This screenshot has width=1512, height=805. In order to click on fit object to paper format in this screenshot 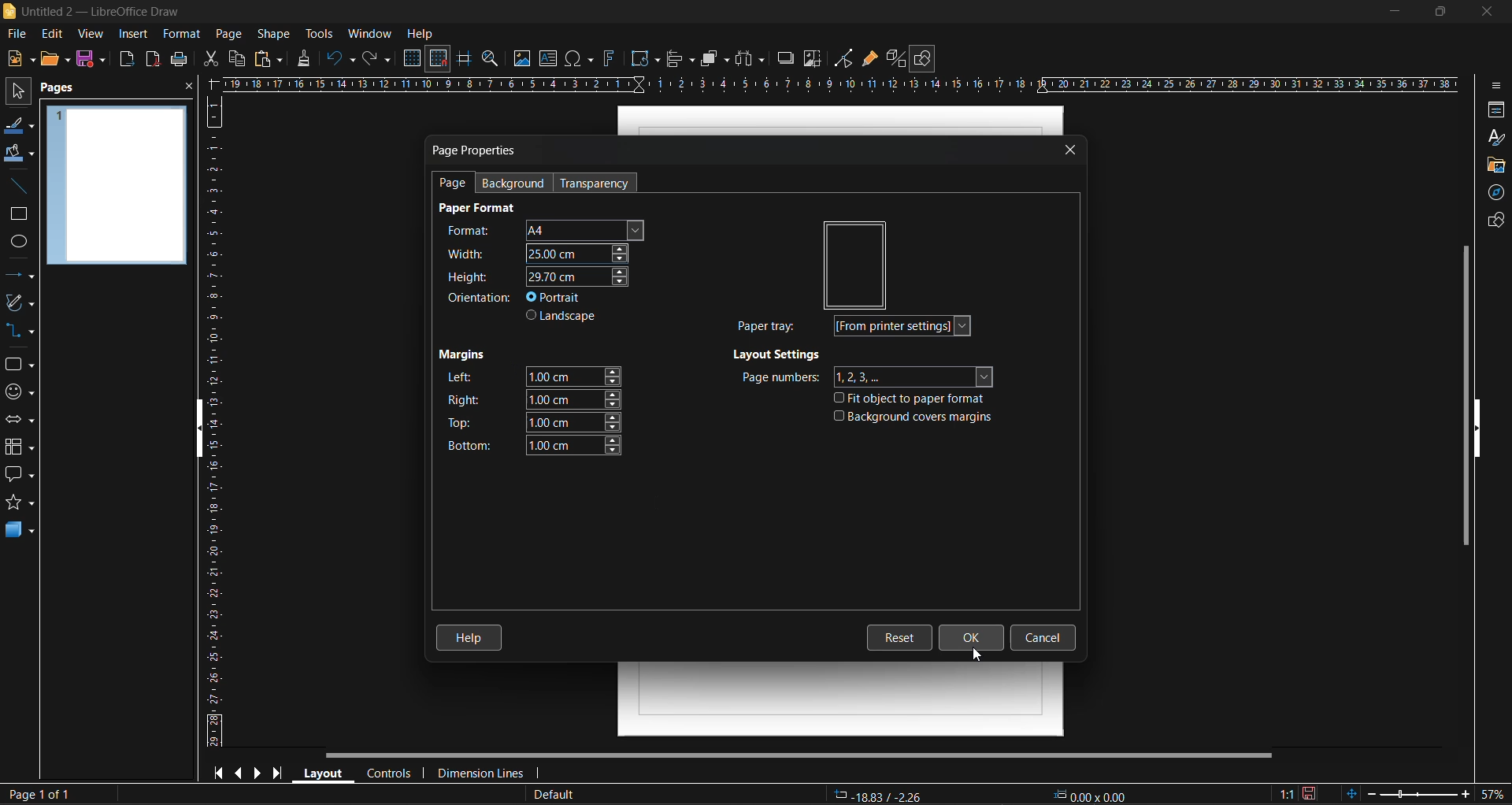, I will do `click(915, 401)`.